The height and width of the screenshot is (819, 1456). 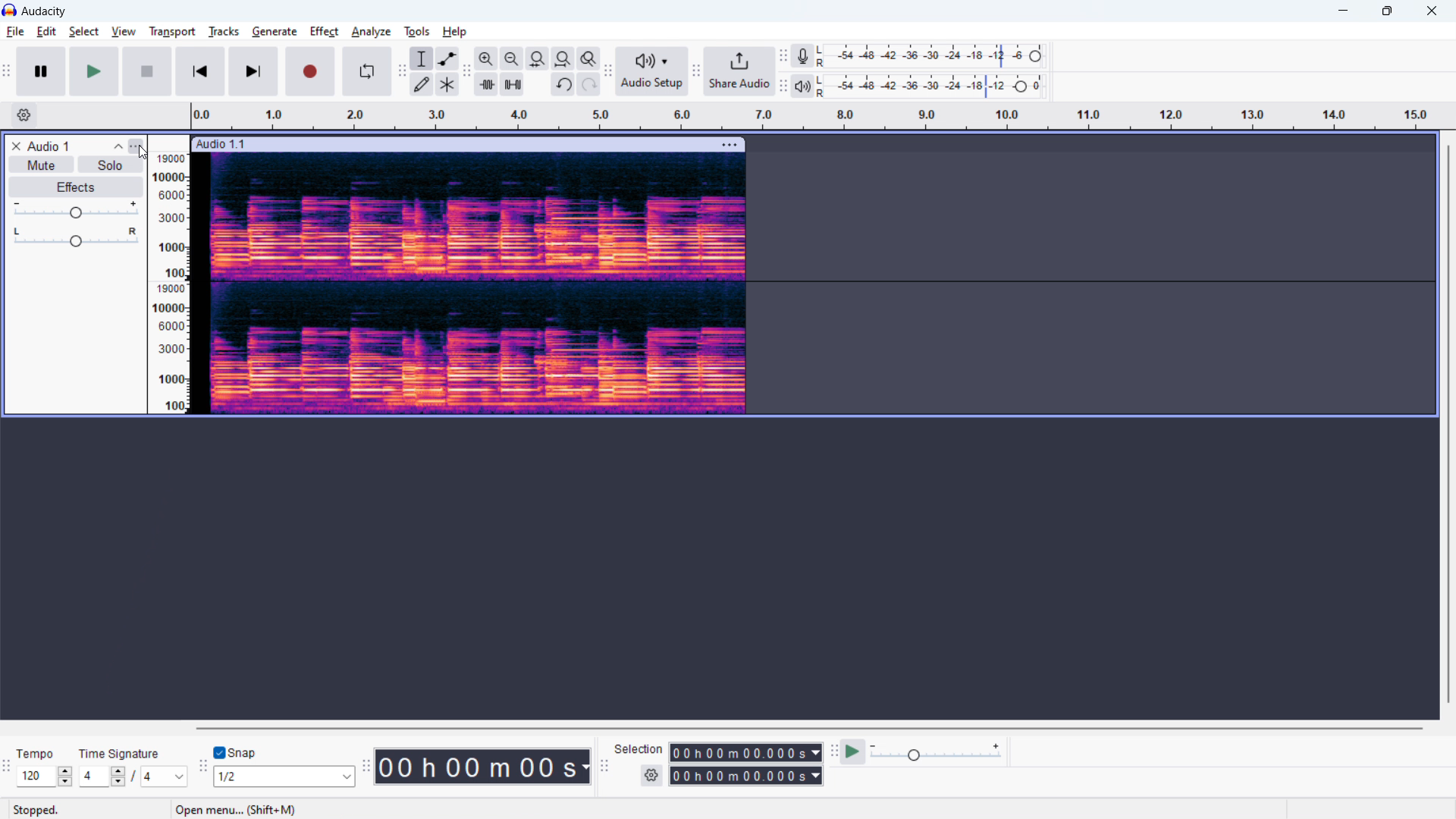 What do you see at coordinates (807, 84) in the screenshot?
I see `playback meter` at bounding box center [807, 84].